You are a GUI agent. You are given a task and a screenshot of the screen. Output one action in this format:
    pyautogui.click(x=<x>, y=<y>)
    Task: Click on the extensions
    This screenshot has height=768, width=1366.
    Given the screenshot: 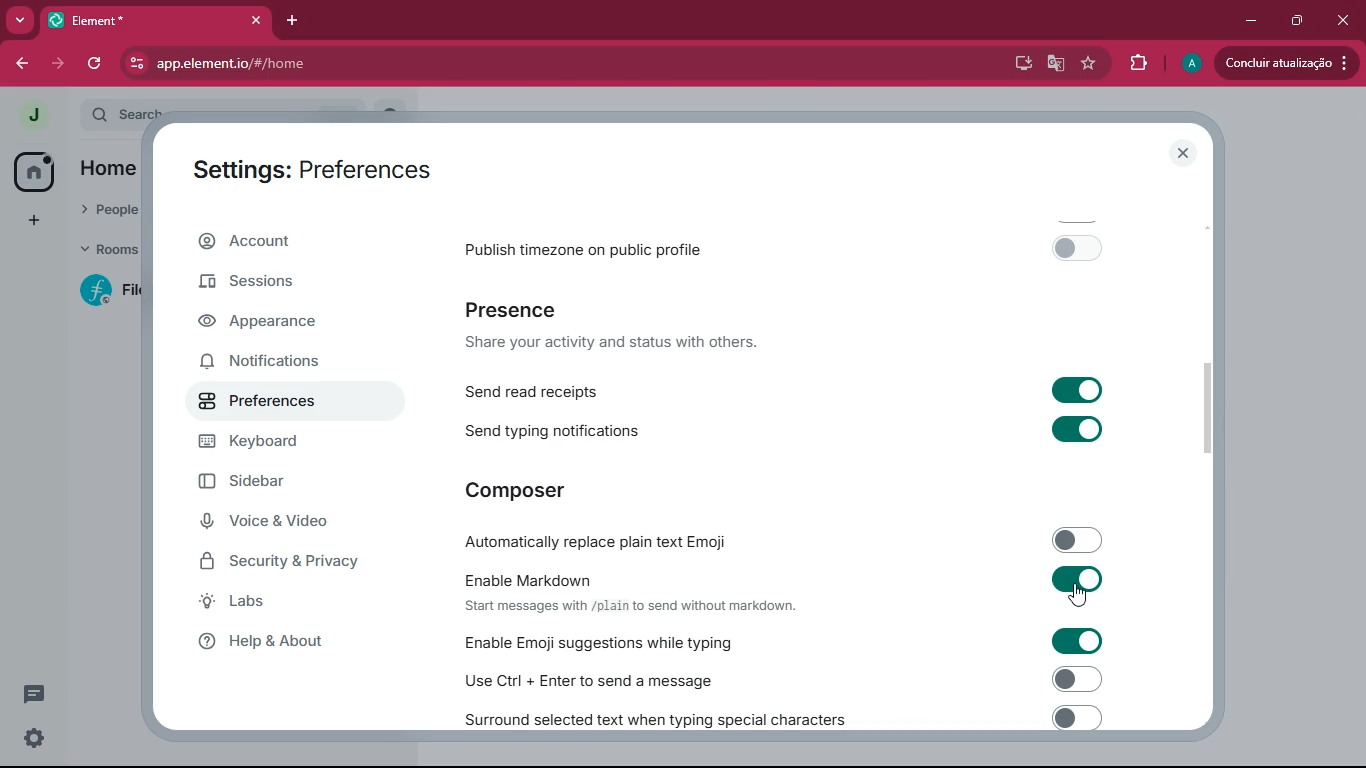 What is the action you would take?
    pyautogui.click(x=1139, y=64)
    